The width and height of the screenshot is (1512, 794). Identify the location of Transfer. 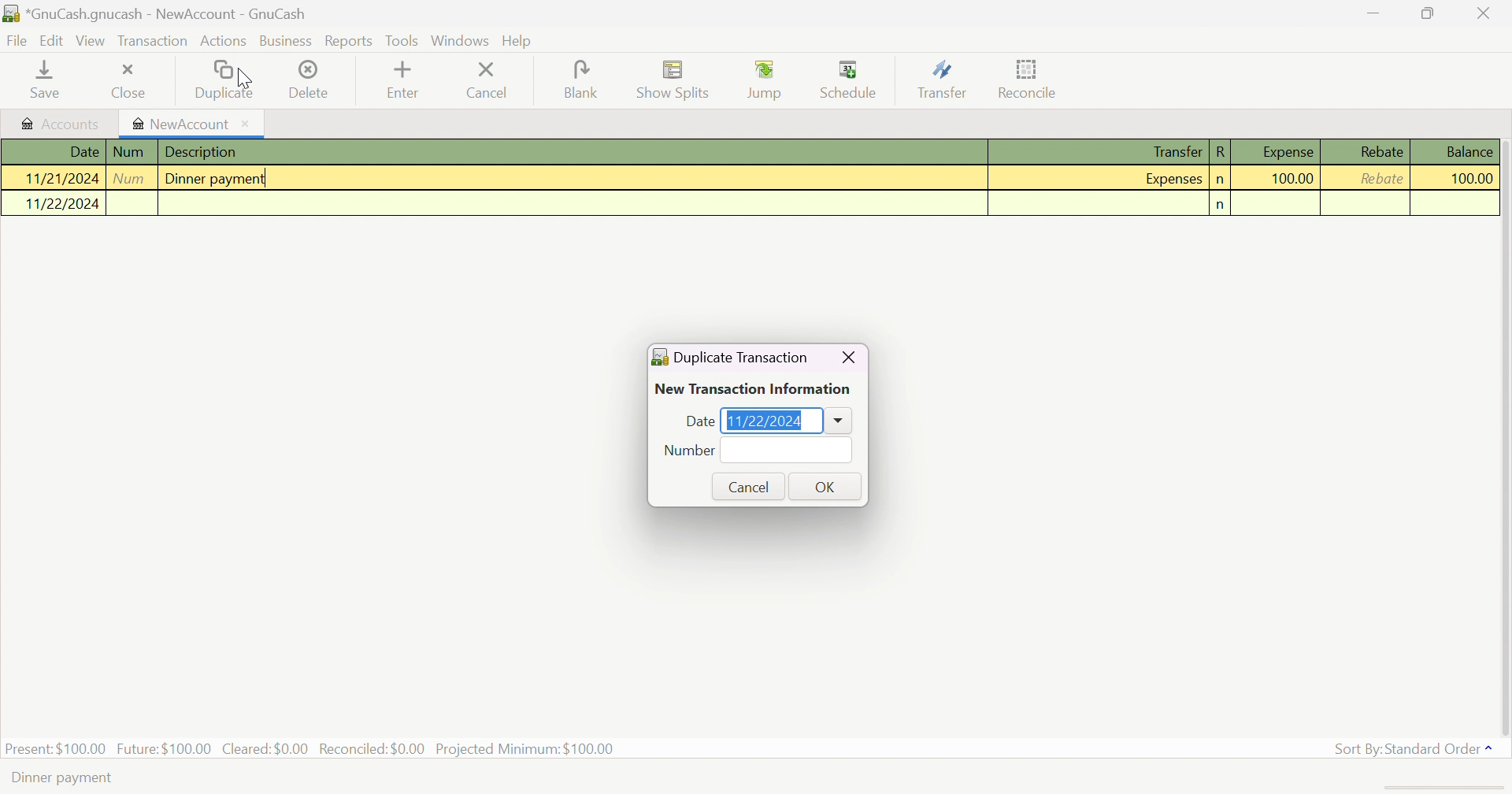
(944, 80).